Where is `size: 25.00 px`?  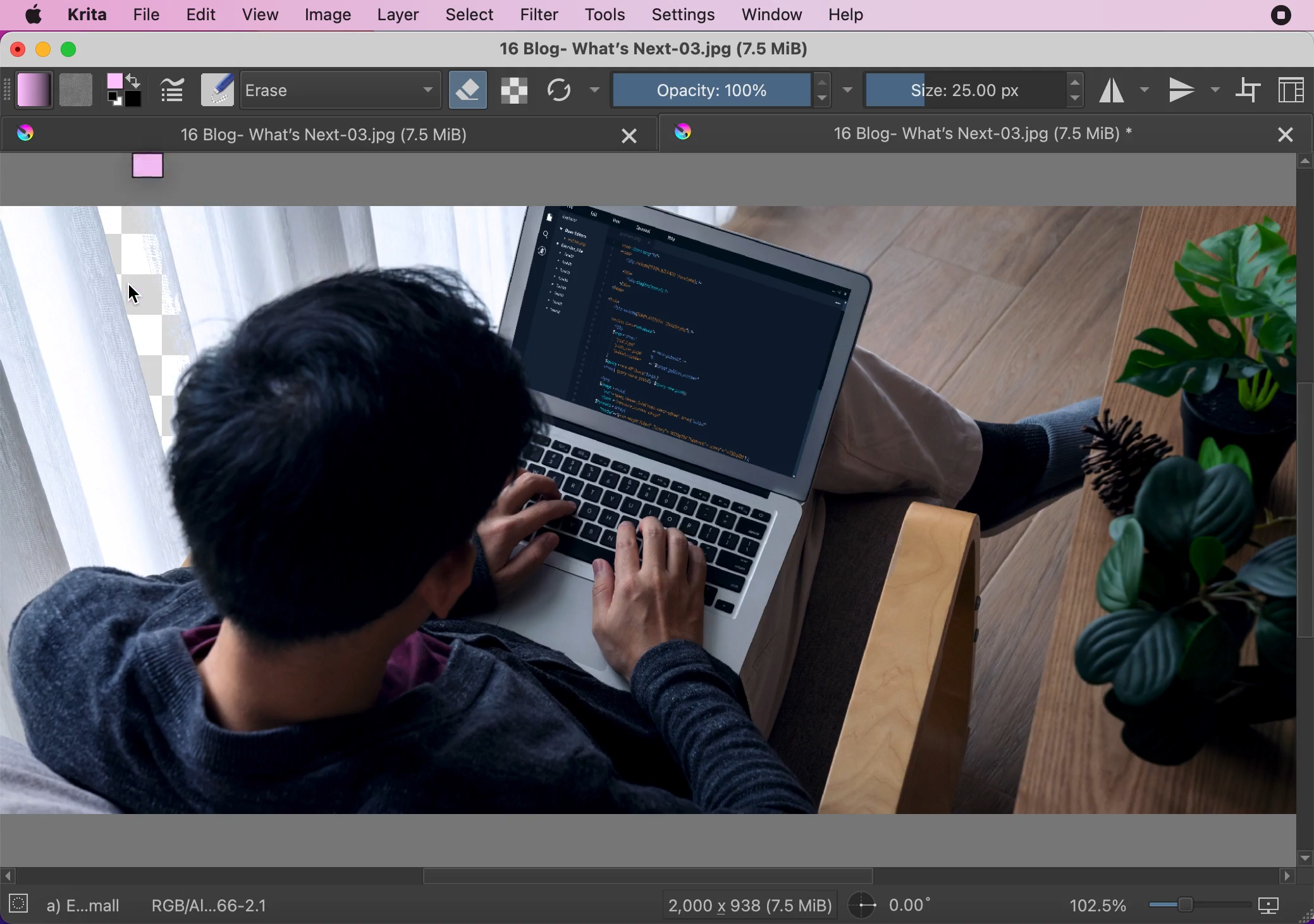 size: 25.00 px is located at coordinates (962, 89).